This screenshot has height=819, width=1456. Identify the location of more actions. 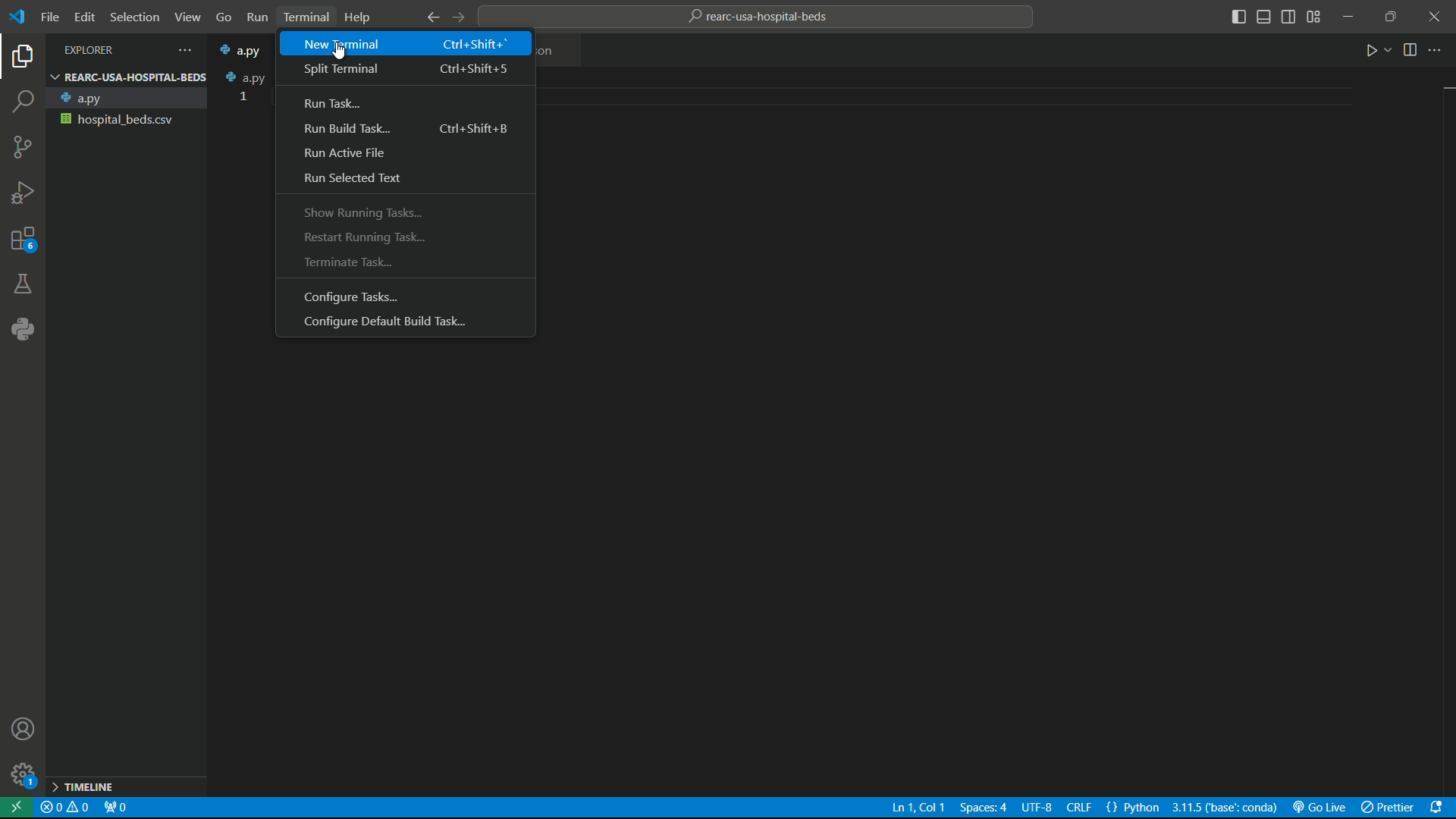
(1439, 52).